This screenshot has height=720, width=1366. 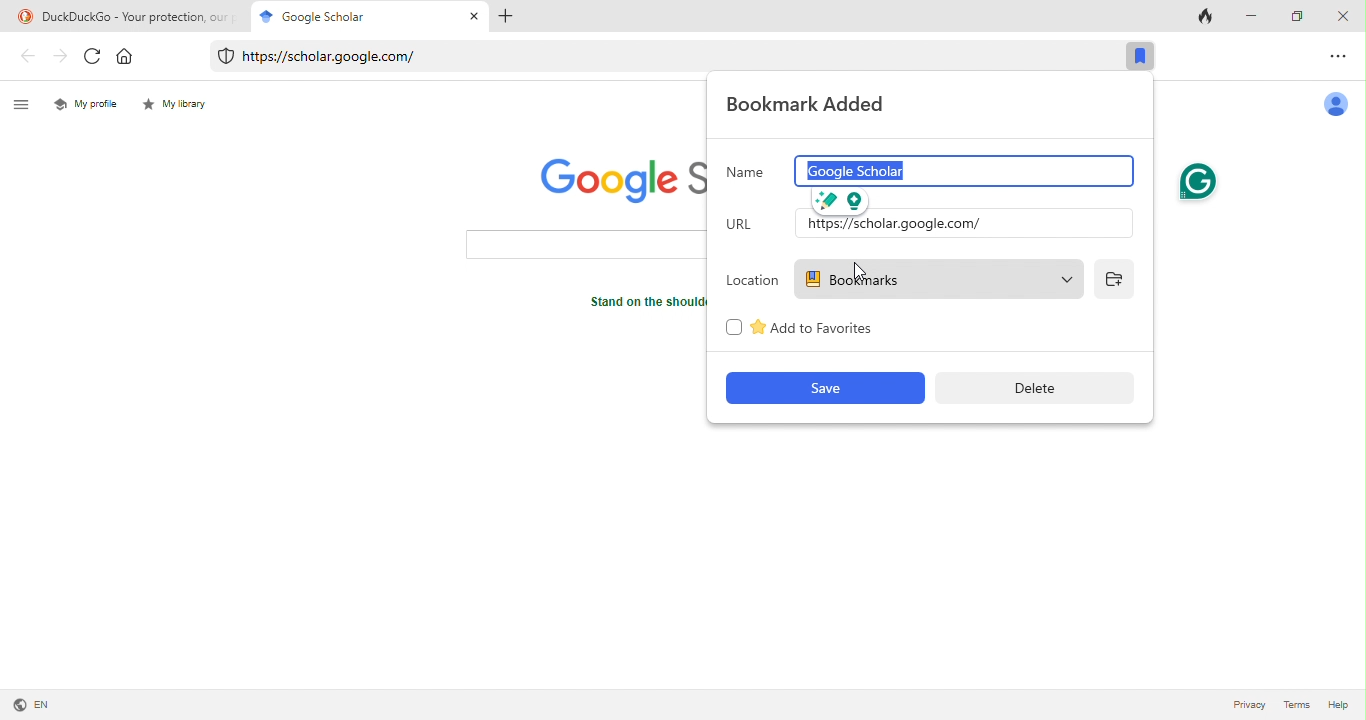 What do you see at coordinates (963, 226) in the screenshot?
I see `input url` at bounding box center [963, 226].